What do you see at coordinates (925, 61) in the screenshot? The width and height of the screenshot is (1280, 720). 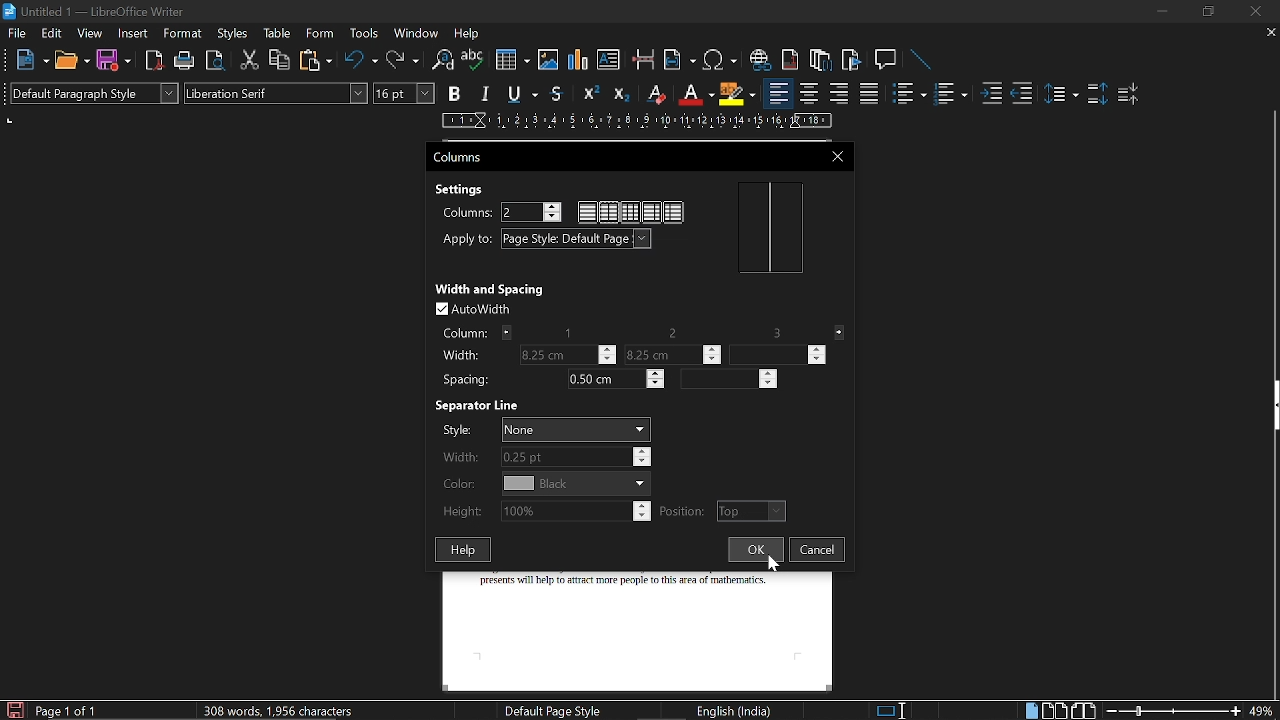 I see `Line` at bounding box center [925, 61].